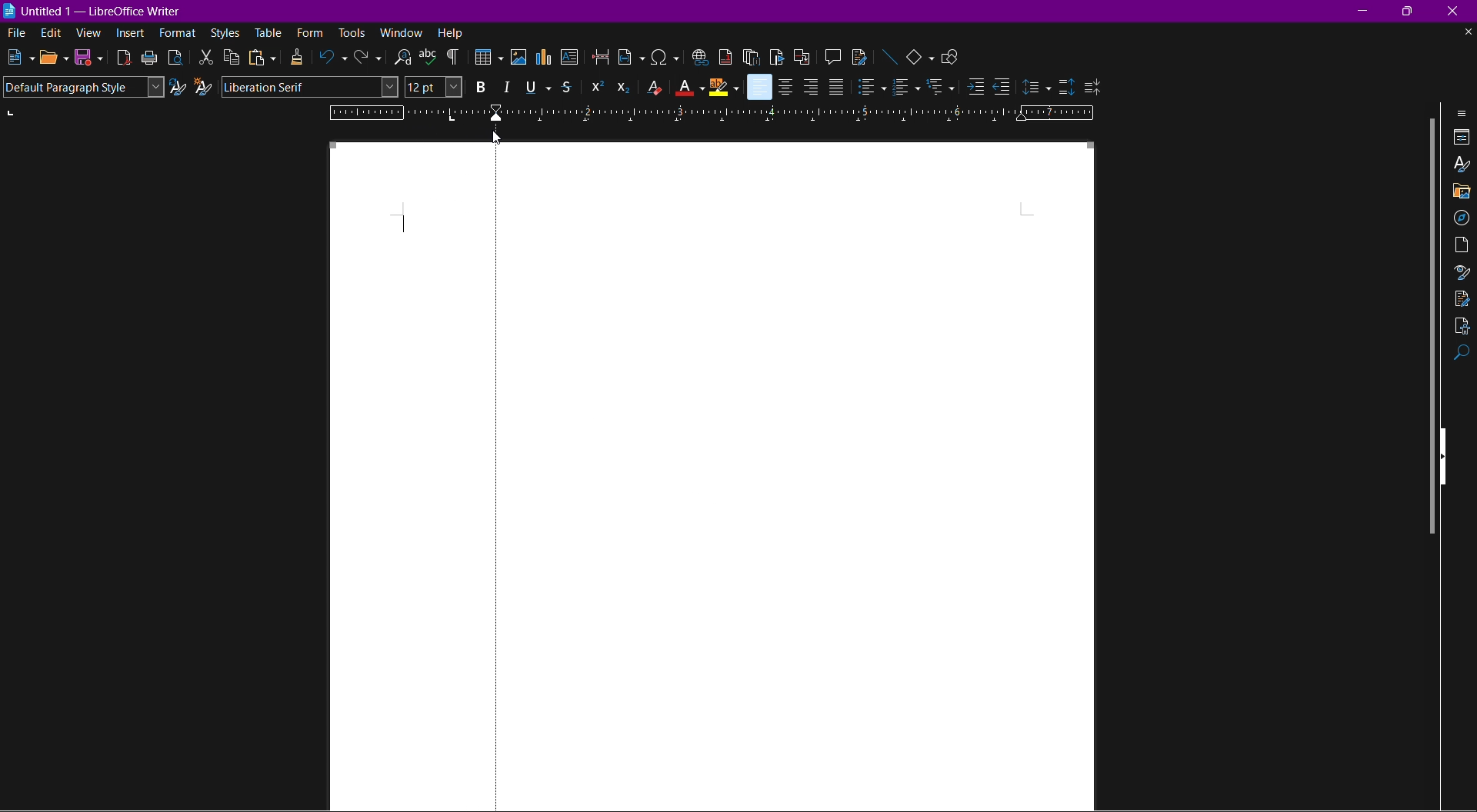 Image resolution: width=1477 pixels, height=812 pixels. Describe the element at coordinates (13, 32) in the screenshot. I see `file` at that location.